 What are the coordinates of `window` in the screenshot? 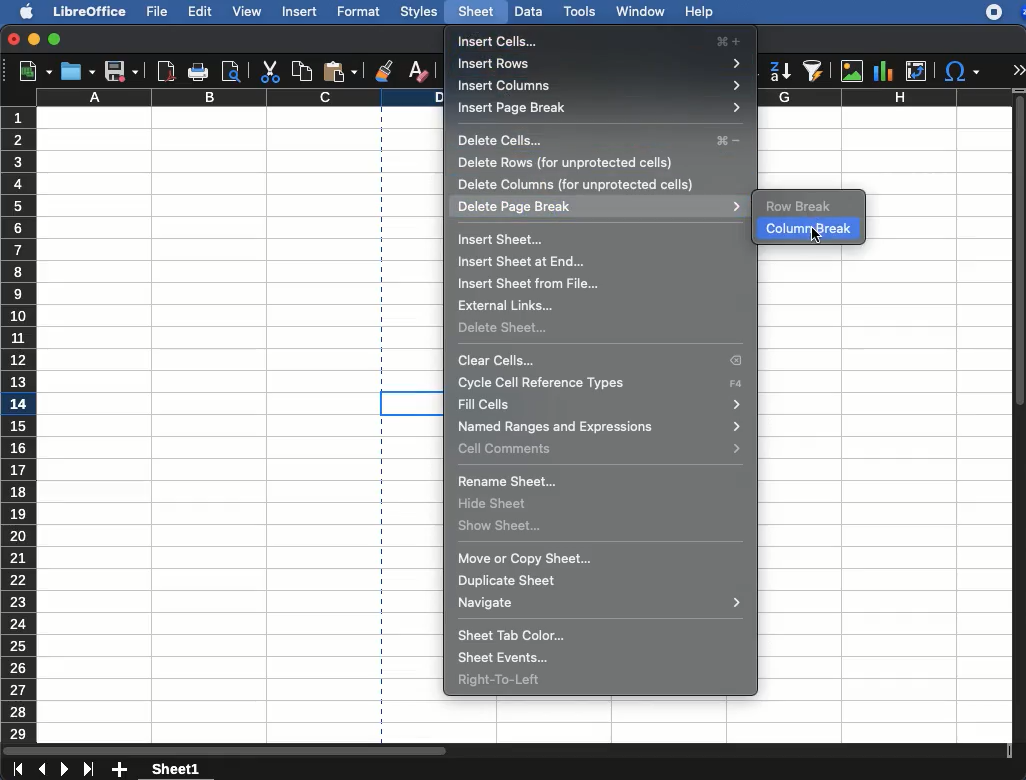 It's located at (639, 13).